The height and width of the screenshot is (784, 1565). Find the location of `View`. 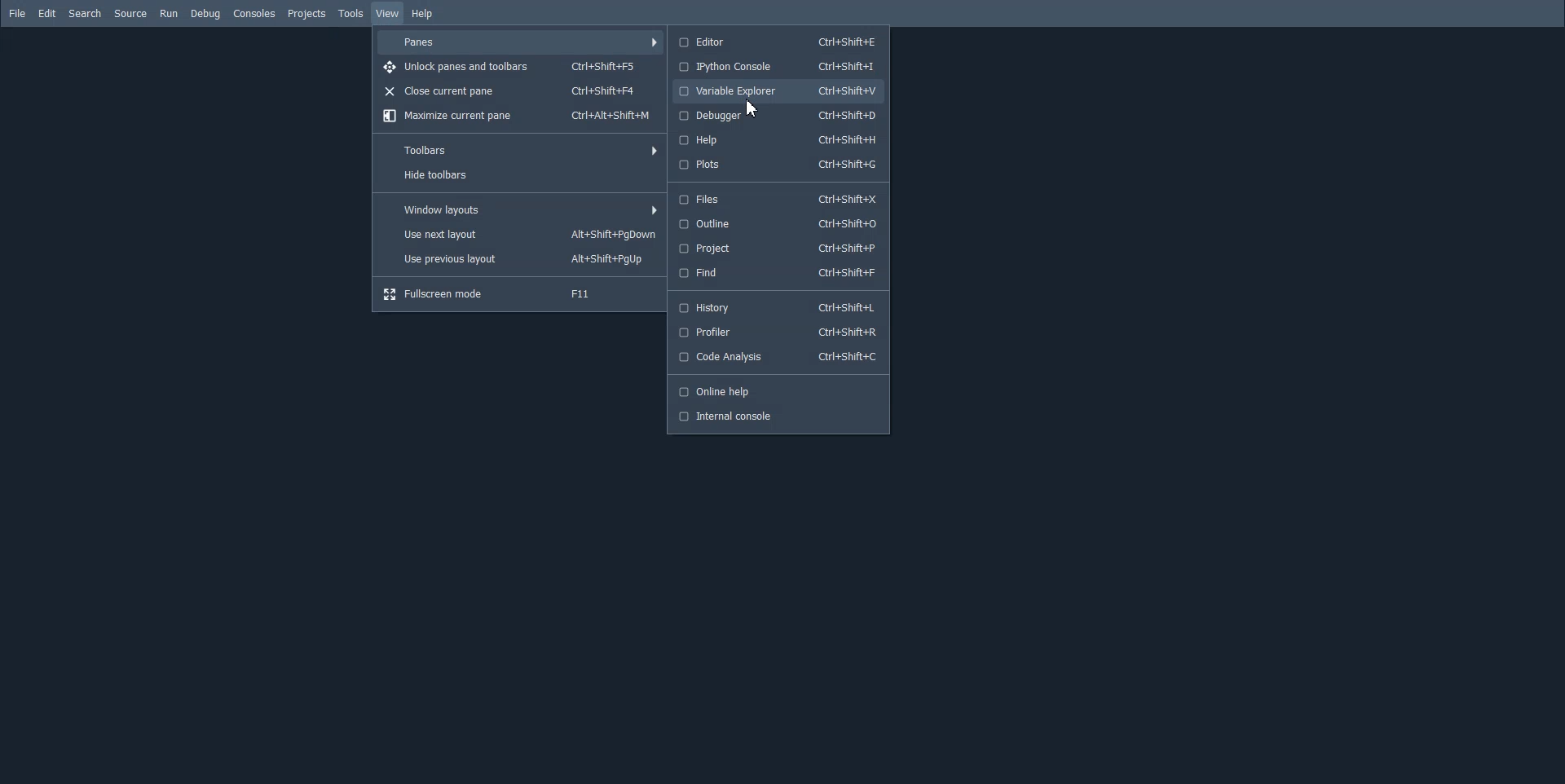

View is located at coordinates (388, 14).